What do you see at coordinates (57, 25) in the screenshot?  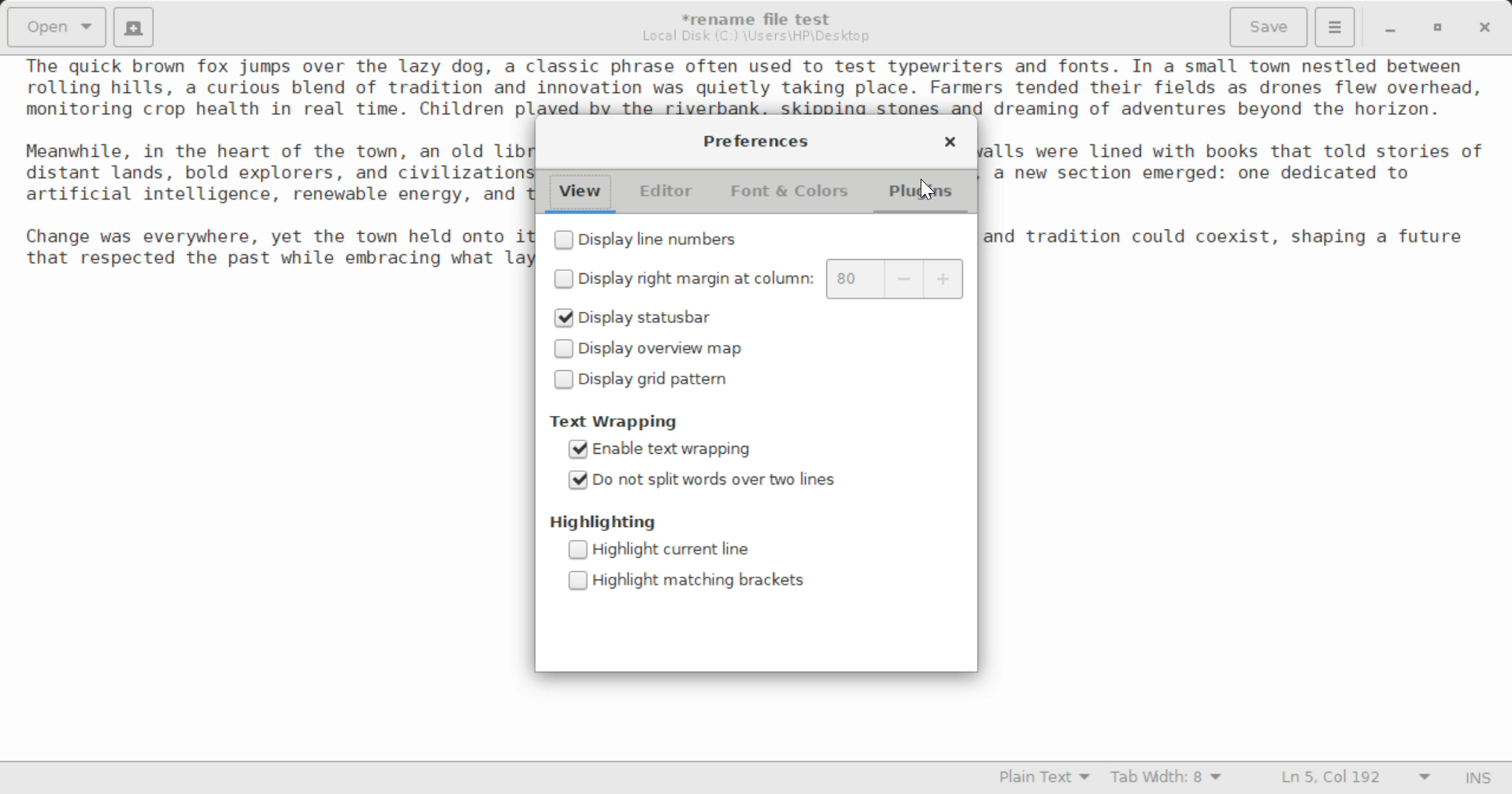 I see `Open Document` at bounding box center [57, 25].